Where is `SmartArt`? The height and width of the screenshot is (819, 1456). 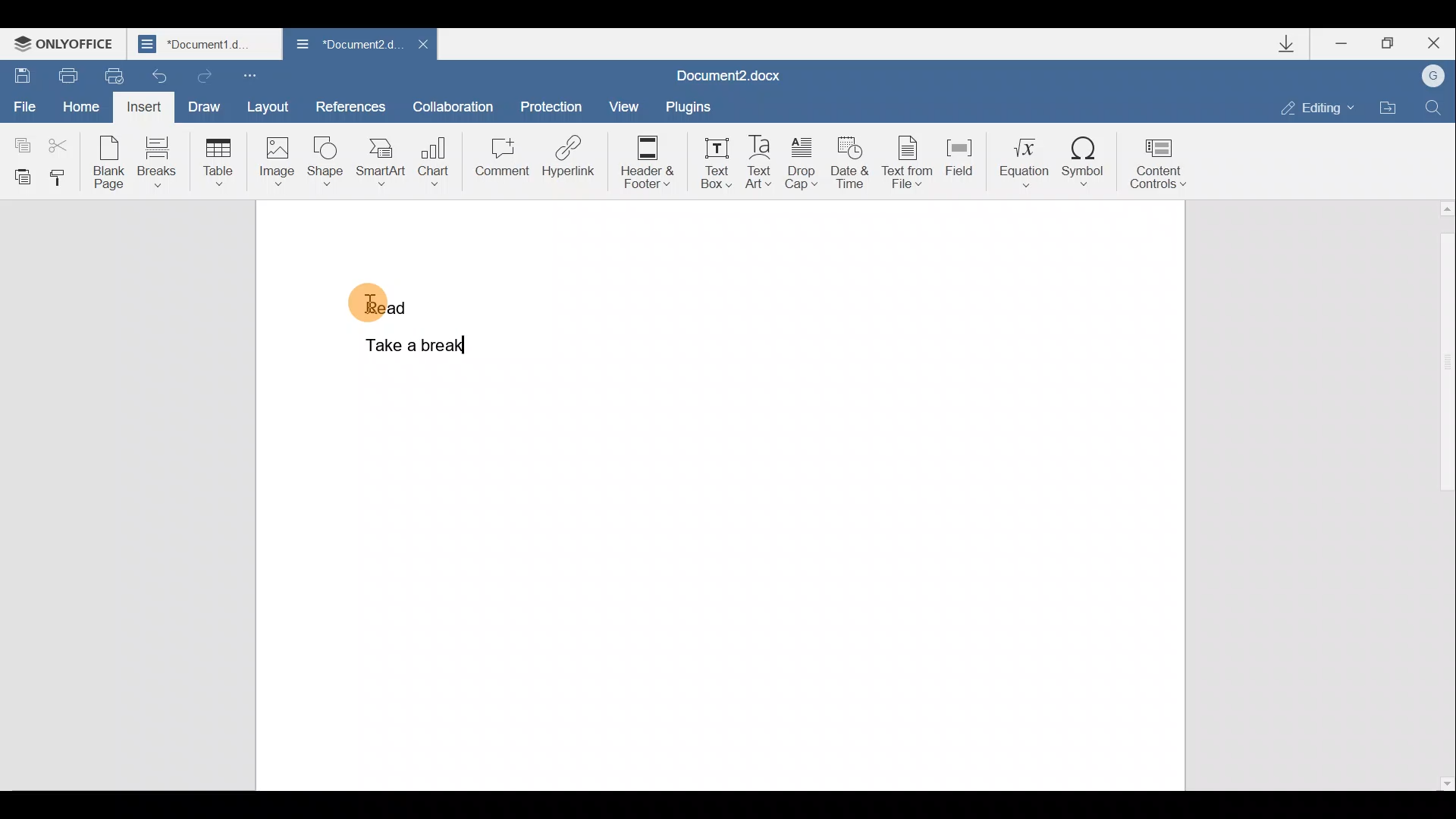 SmartArt is located at coordinates (381, 162).